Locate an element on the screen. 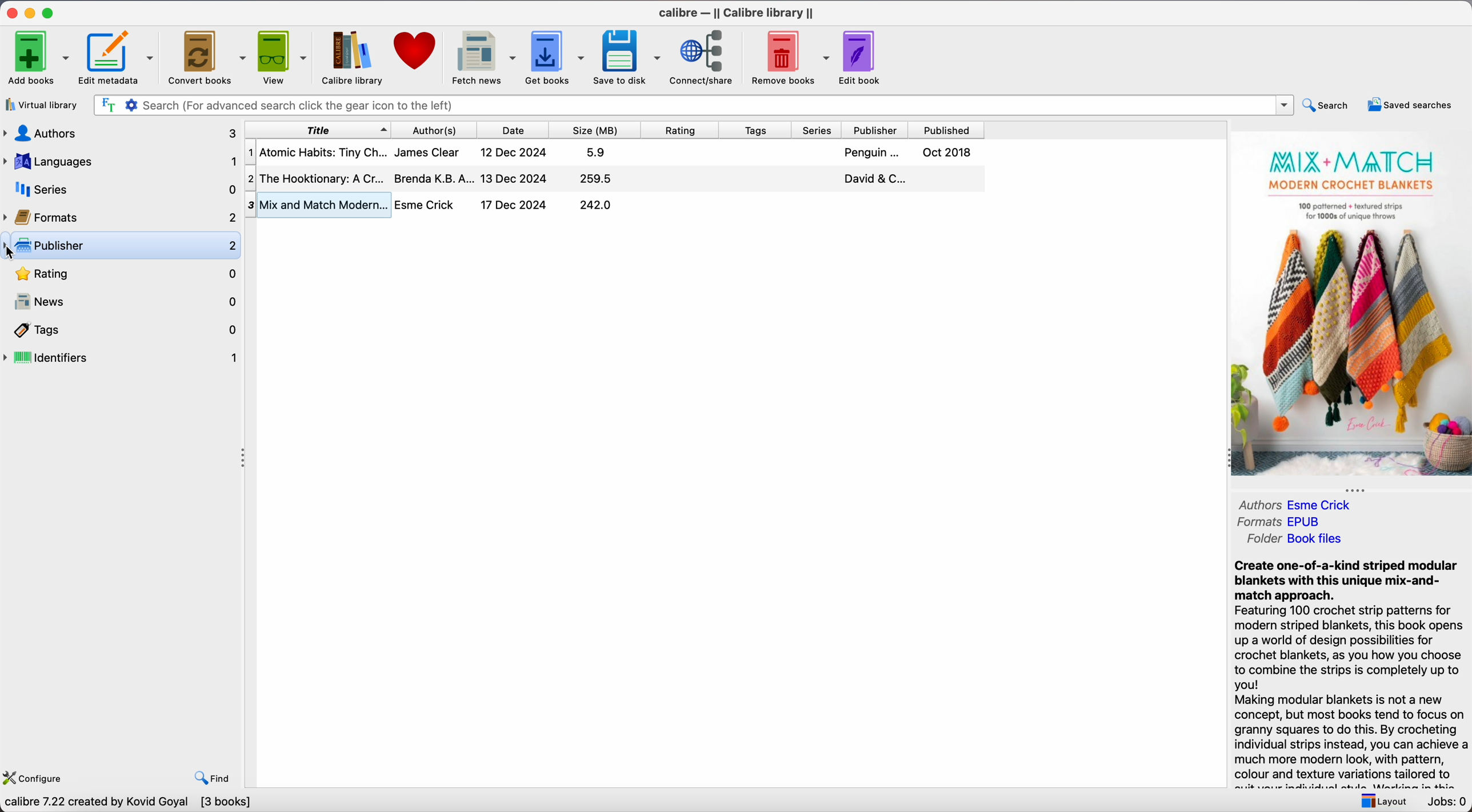  click on publicher options is located at coordinates (121, 245).